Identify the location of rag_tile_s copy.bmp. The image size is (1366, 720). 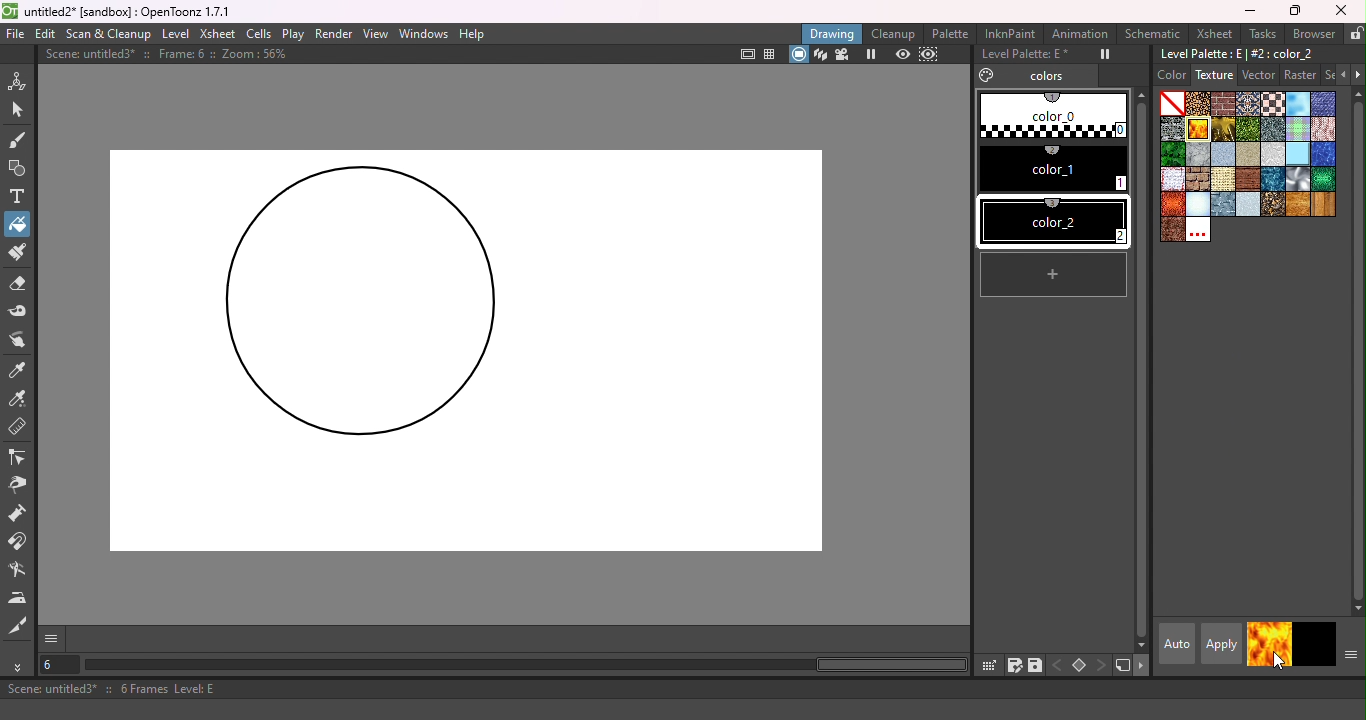
(1172, 180).